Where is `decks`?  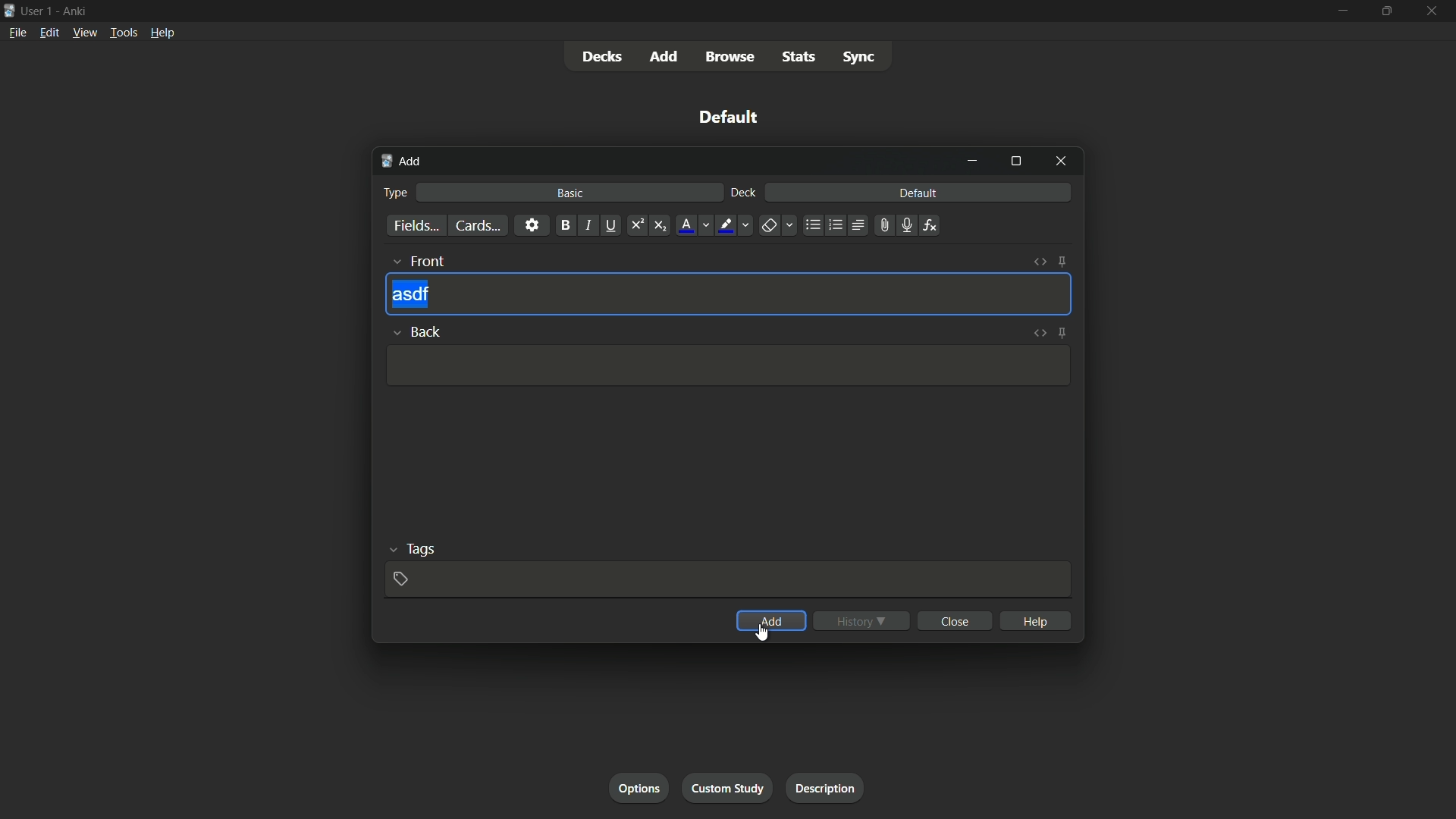 decks is located at coordinates (604, 55).